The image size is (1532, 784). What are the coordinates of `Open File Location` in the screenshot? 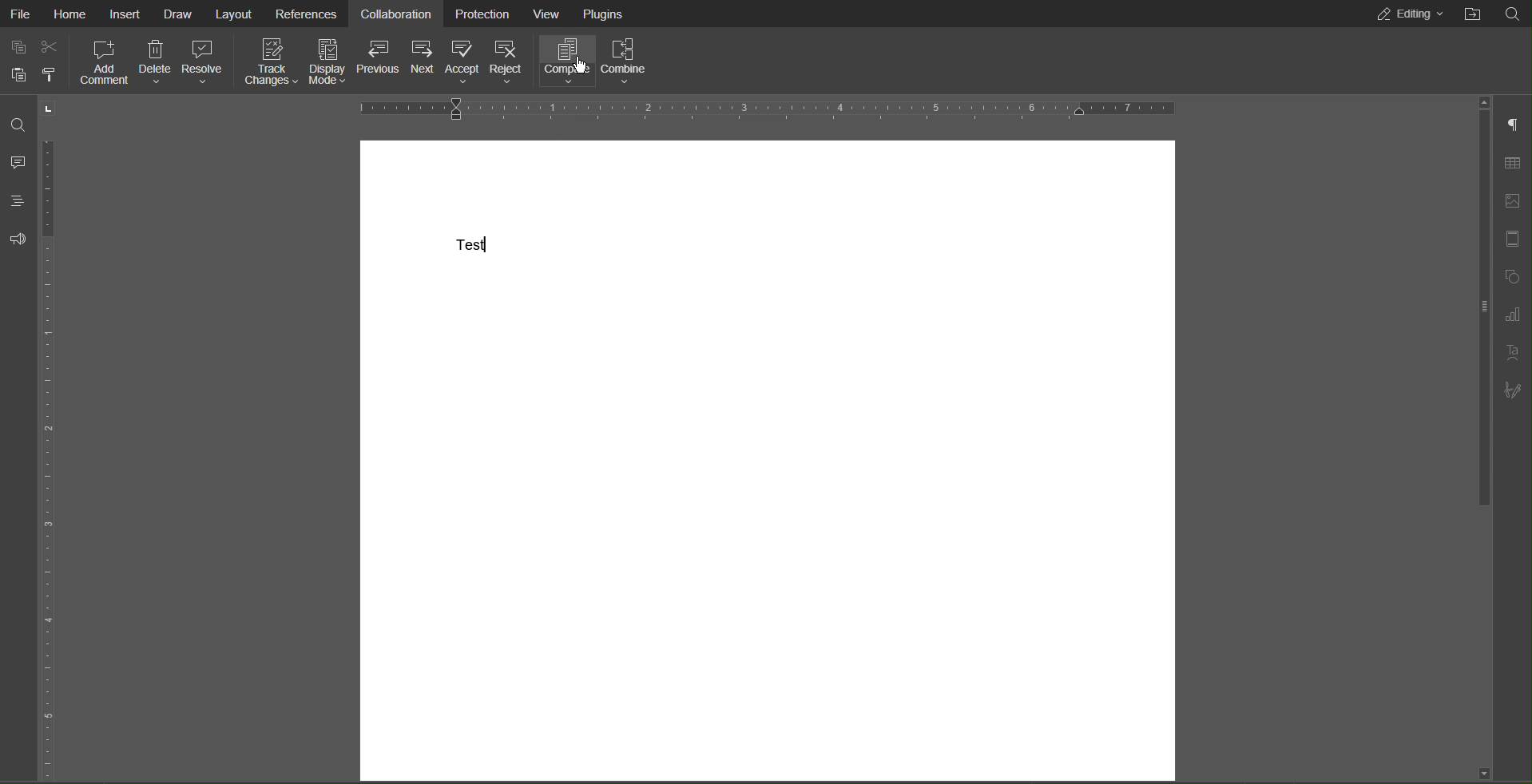 It's located at (1471, 14).